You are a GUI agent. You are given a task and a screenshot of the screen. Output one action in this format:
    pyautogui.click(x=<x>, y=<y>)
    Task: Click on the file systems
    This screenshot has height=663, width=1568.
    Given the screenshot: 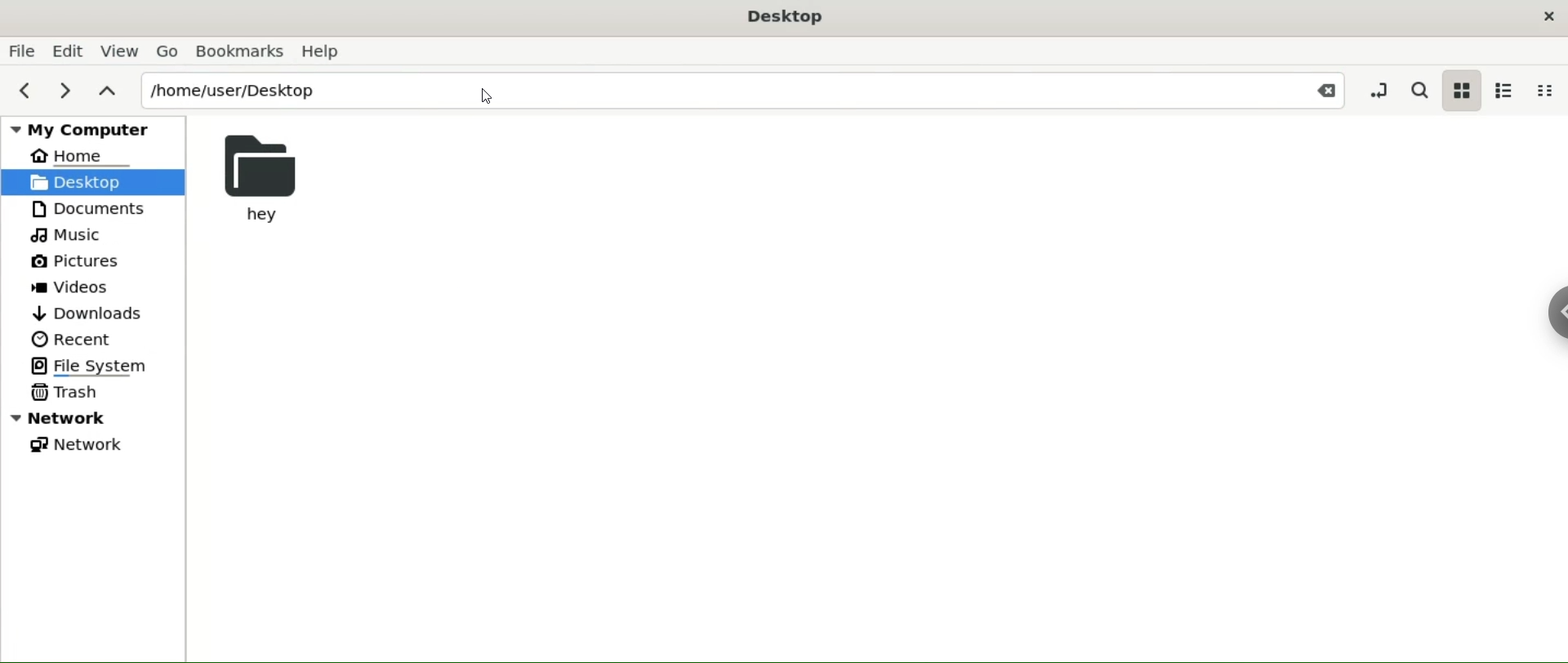 What is the action you would take?
    pyautogui.click(x=104, y=367)
    